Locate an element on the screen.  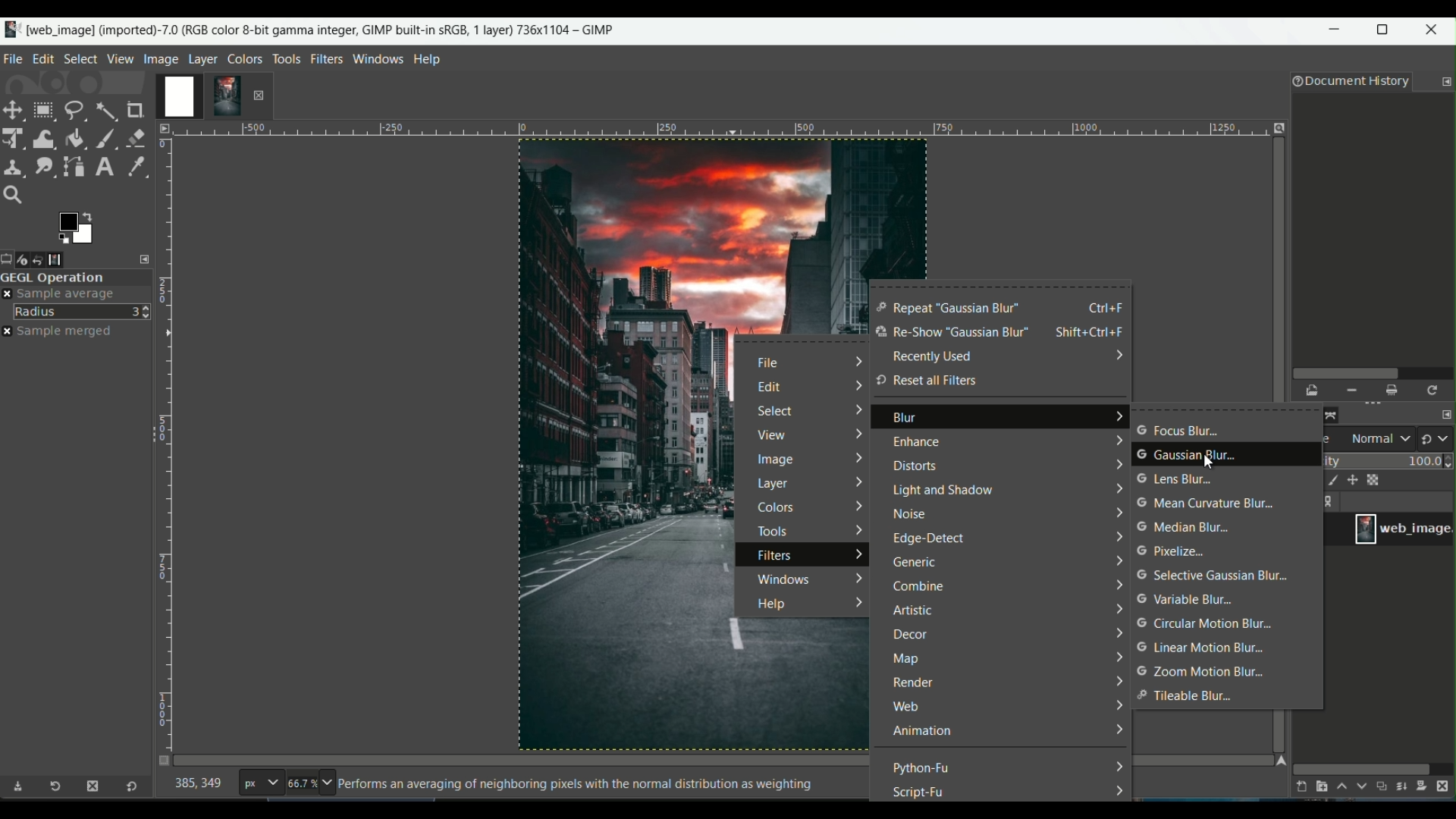
rectangle select tool is located at coordinates (42, 110).